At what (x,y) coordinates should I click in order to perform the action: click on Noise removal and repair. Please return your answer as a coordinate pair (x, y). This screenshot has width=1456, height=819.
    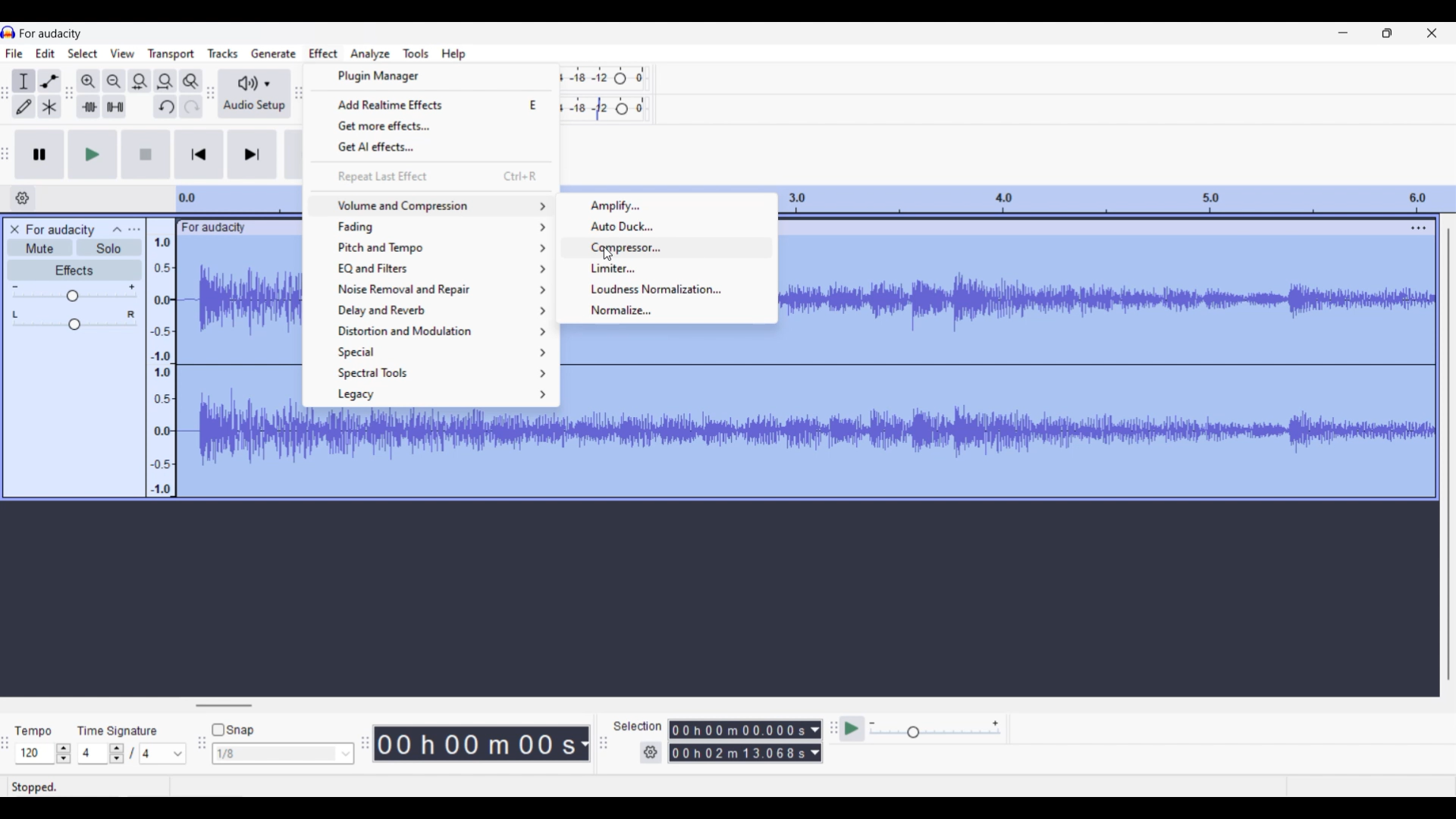
    Looking at the image, I should click on (432, 289).